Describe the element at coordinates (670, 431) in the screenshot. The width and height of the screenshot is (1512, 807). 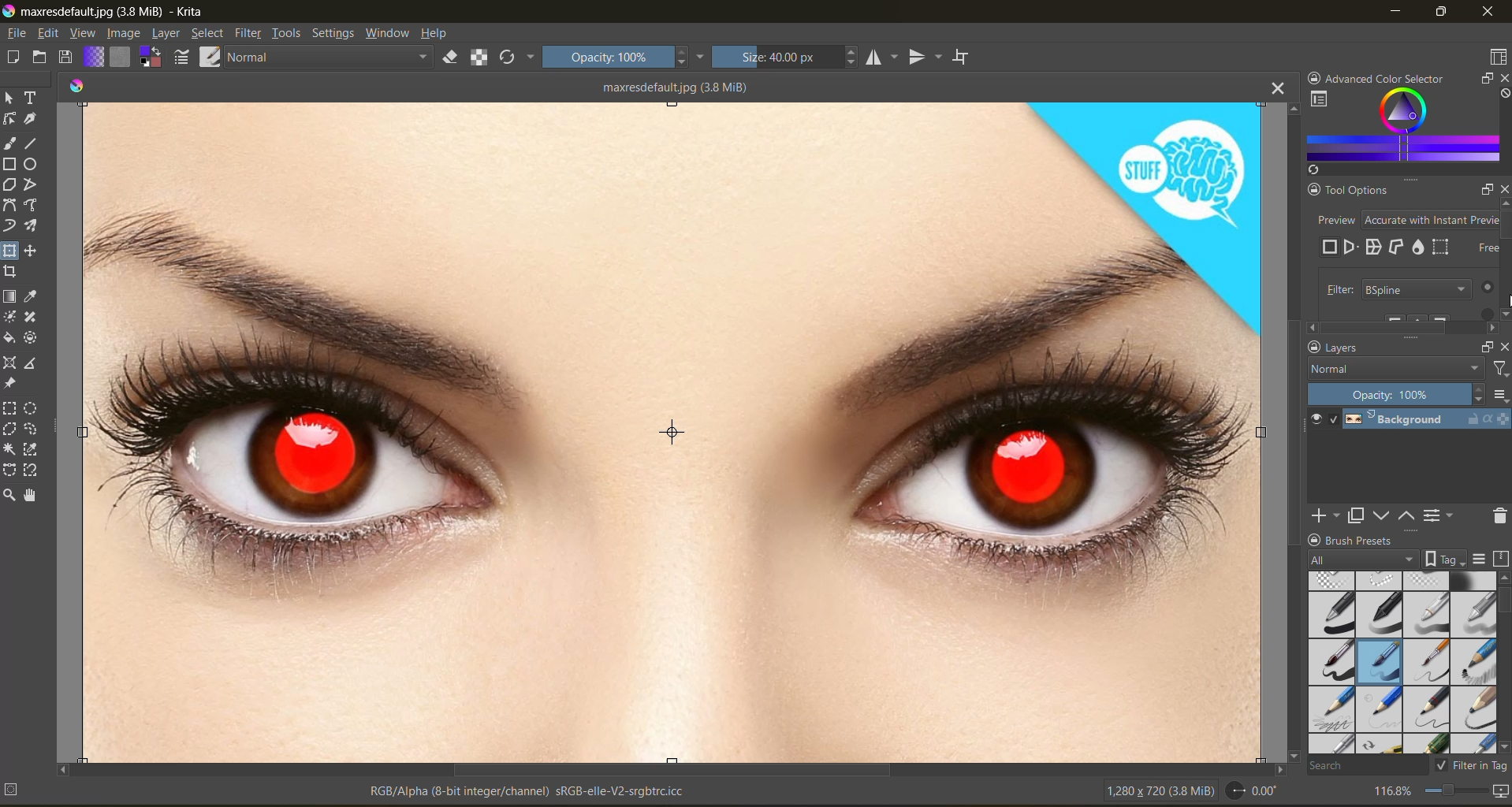
I see `photo` at that location.